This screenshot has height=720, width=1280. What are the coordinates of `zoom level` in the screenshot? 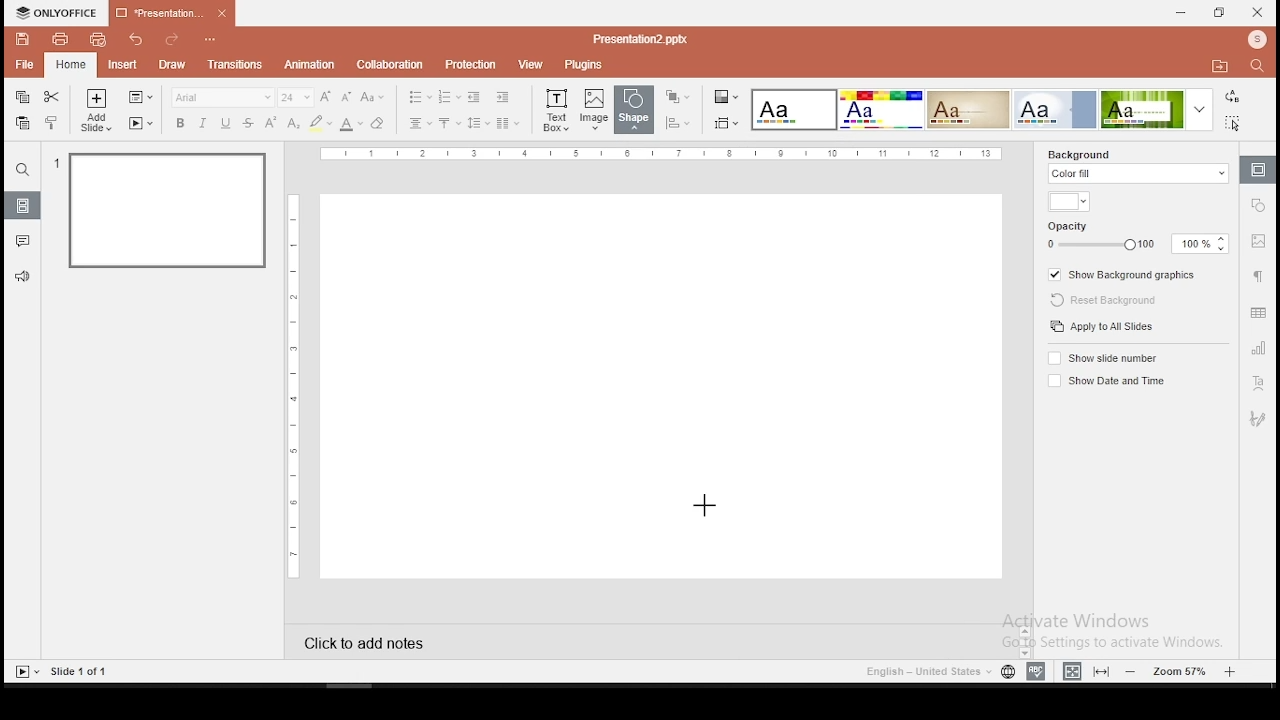 It's located at (1182, 670).